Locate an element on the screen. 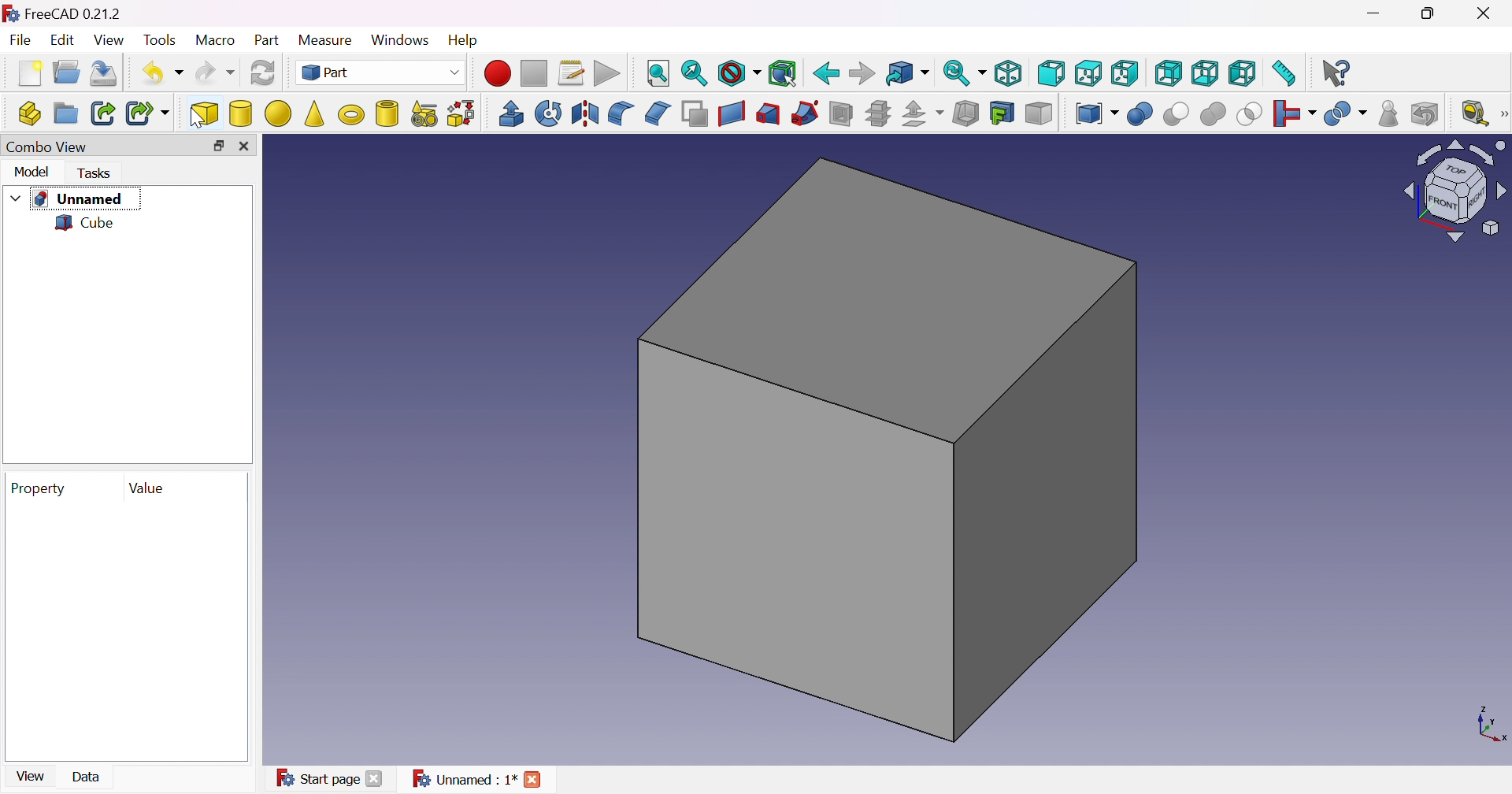 This screenshot has height=794, width=1512. Close is located at coordinates (243, 145).